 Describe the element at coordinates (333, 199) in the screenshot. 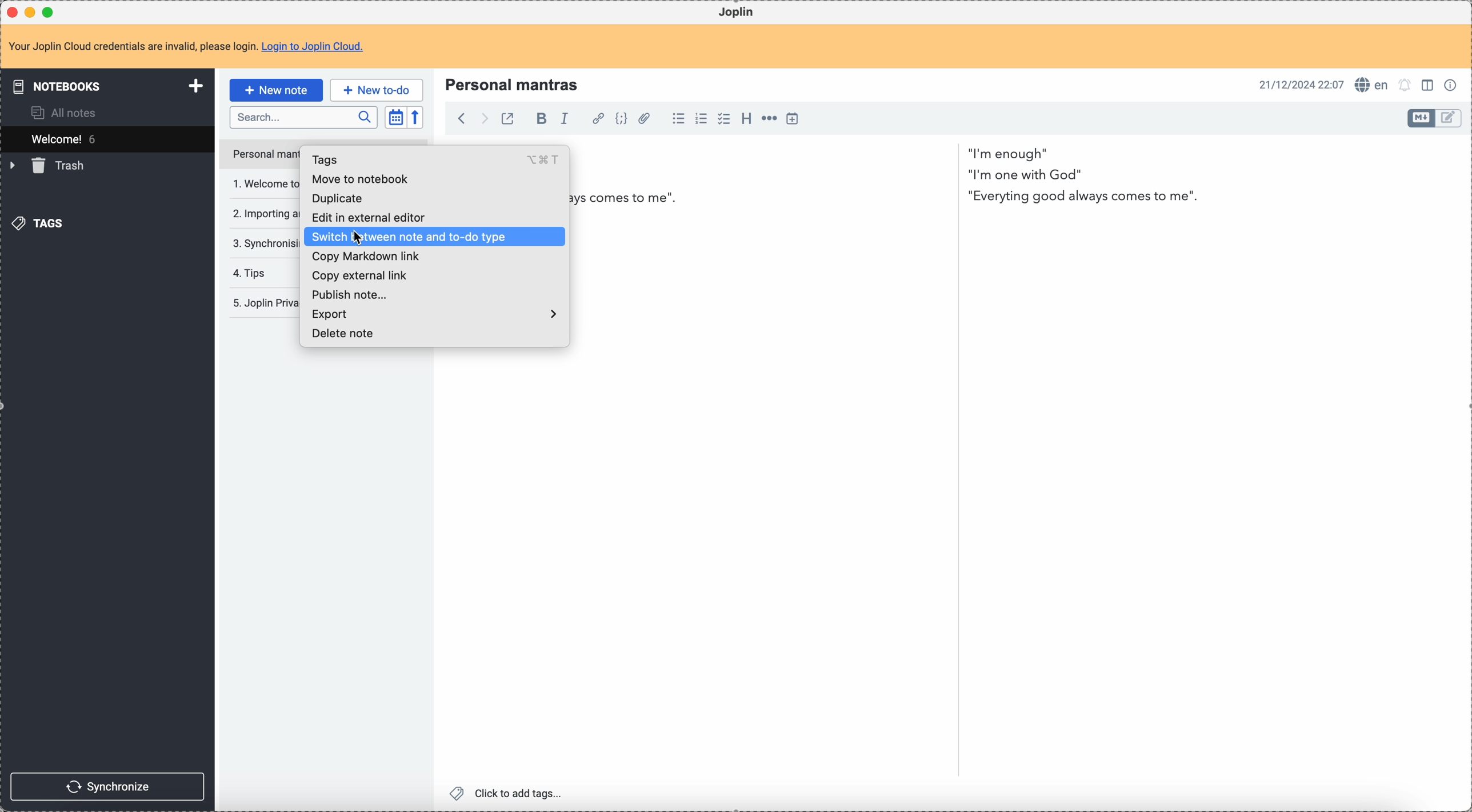

I see `duplicate` at that location.